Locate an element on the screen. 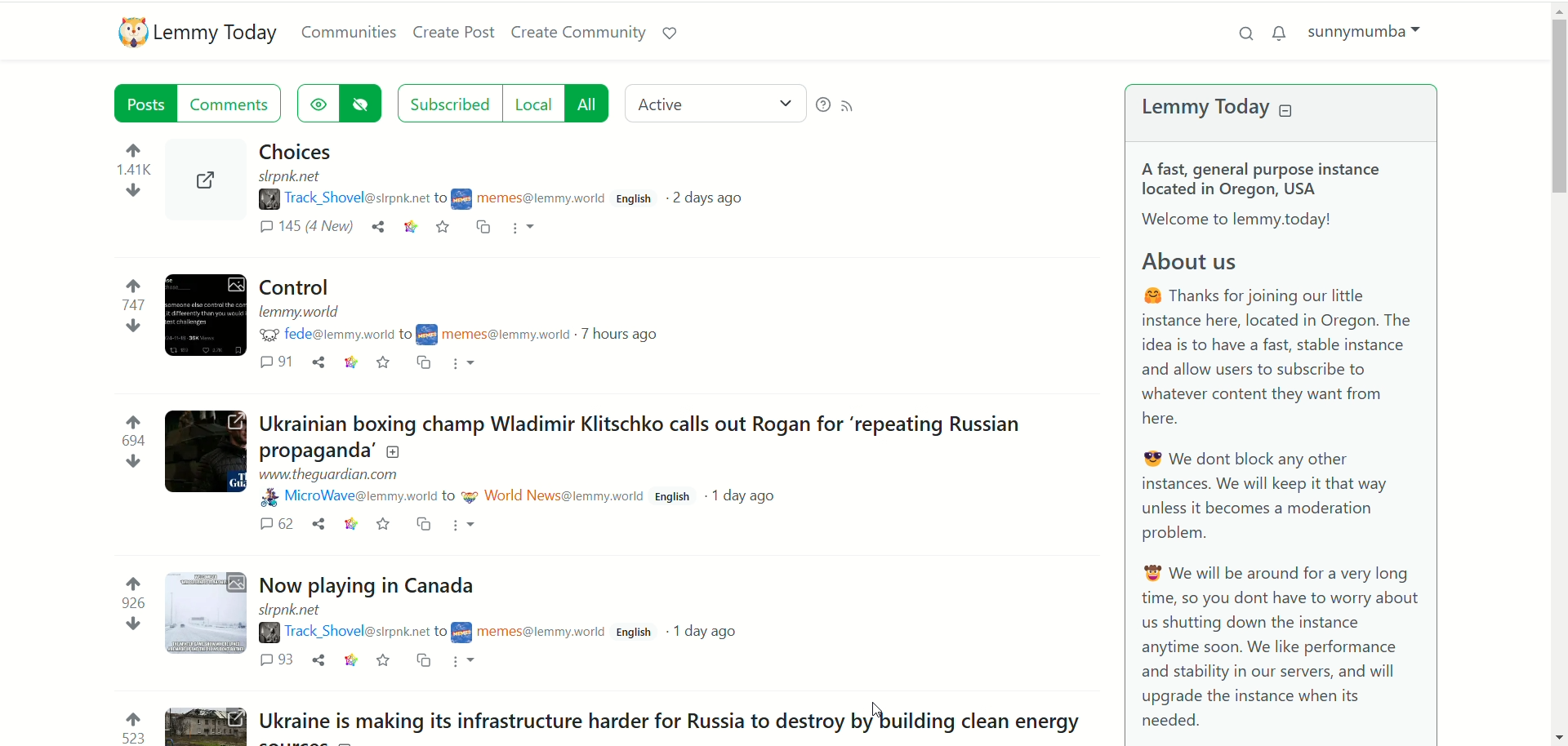 This screenshot has width=1568, height=746. share is located at coordinates (318, 524).